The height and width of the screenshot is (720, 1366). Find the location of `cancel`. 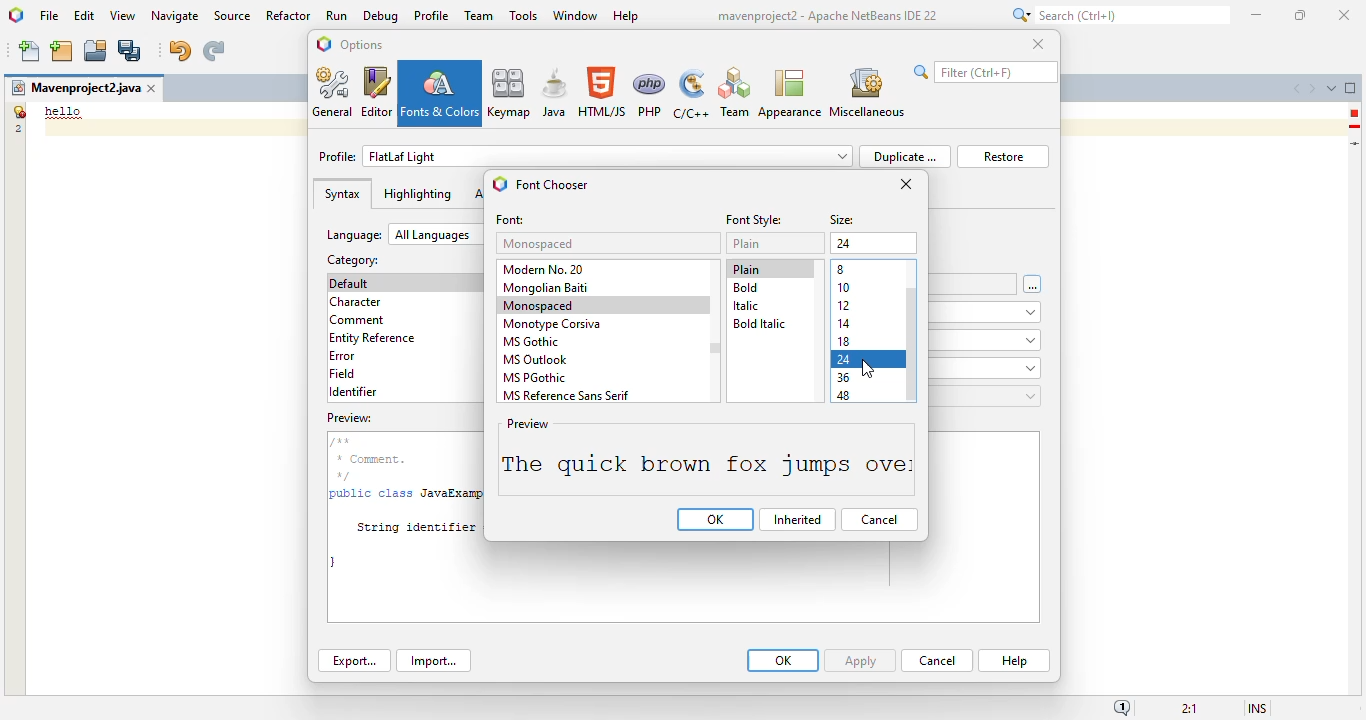

cancel is located at coordinates (879, 520).